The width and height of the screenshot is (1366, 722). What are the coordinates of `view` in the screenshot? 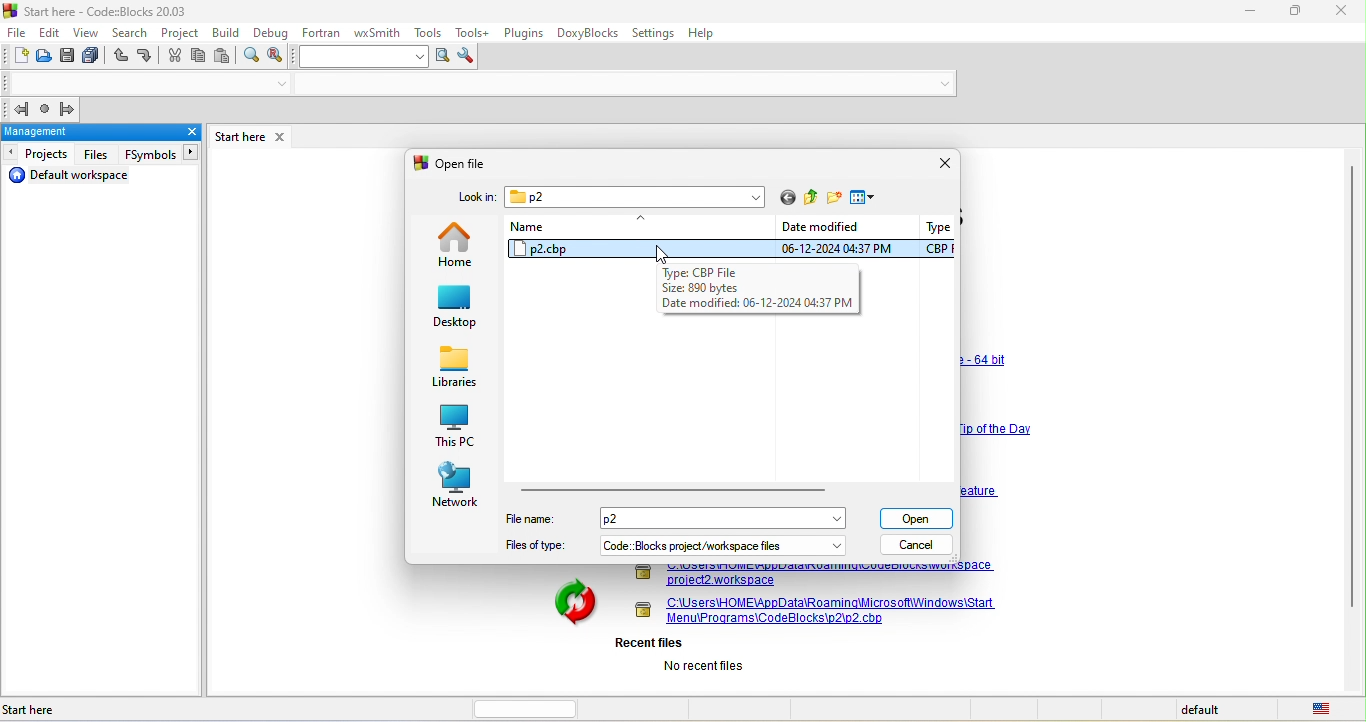 It's located at (89, 34).